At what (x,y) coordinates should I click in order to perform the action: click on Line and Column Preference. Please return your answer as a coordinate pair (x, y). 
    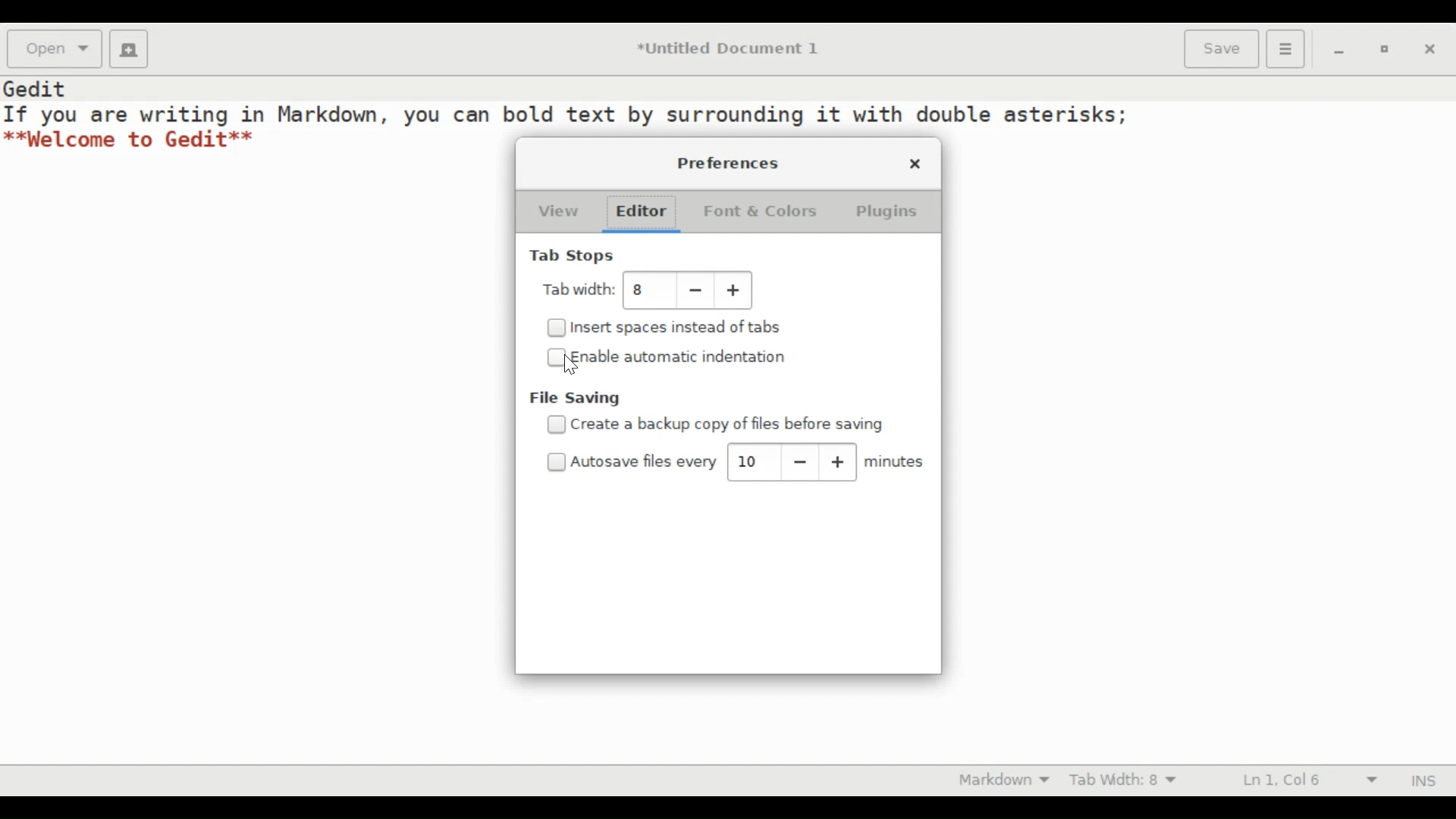
    Looking at the image, I should click on (1313, 780).